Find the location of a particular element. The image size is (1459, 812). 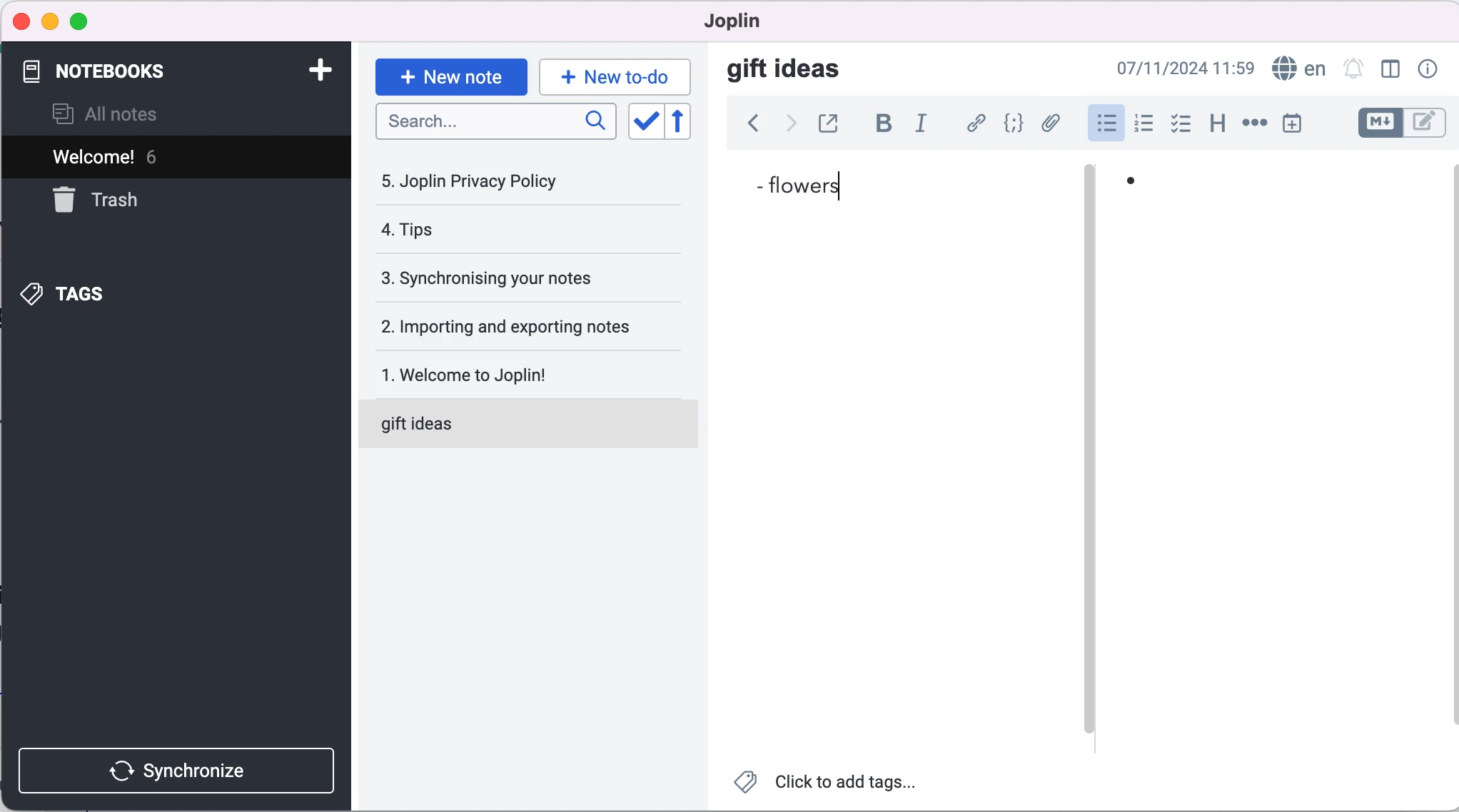

minimize is located at coordinates (50, 19).